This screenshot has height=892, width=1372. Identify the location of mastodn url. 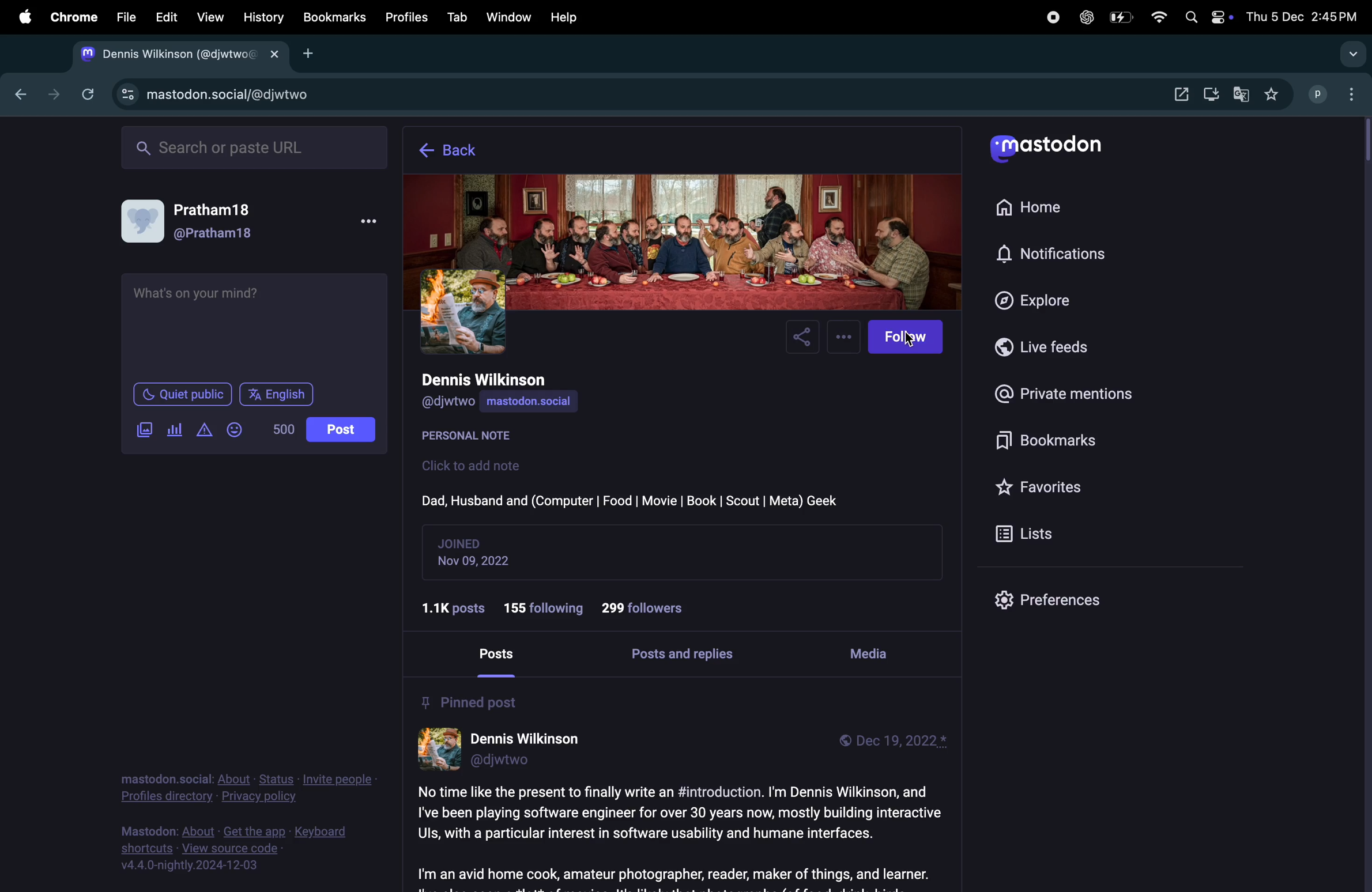
(210, 95).